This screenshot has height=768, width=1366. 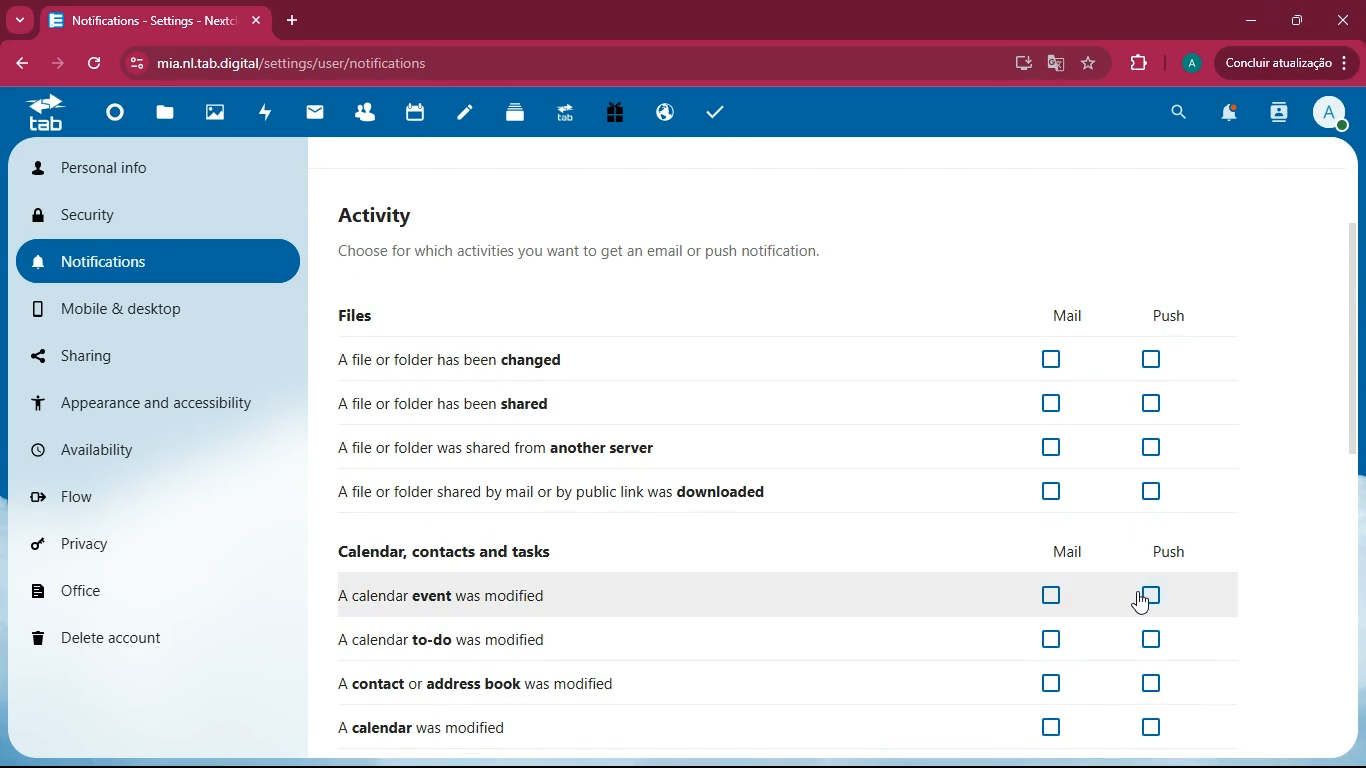 I want to click on notes, so click(x=462, y=117).